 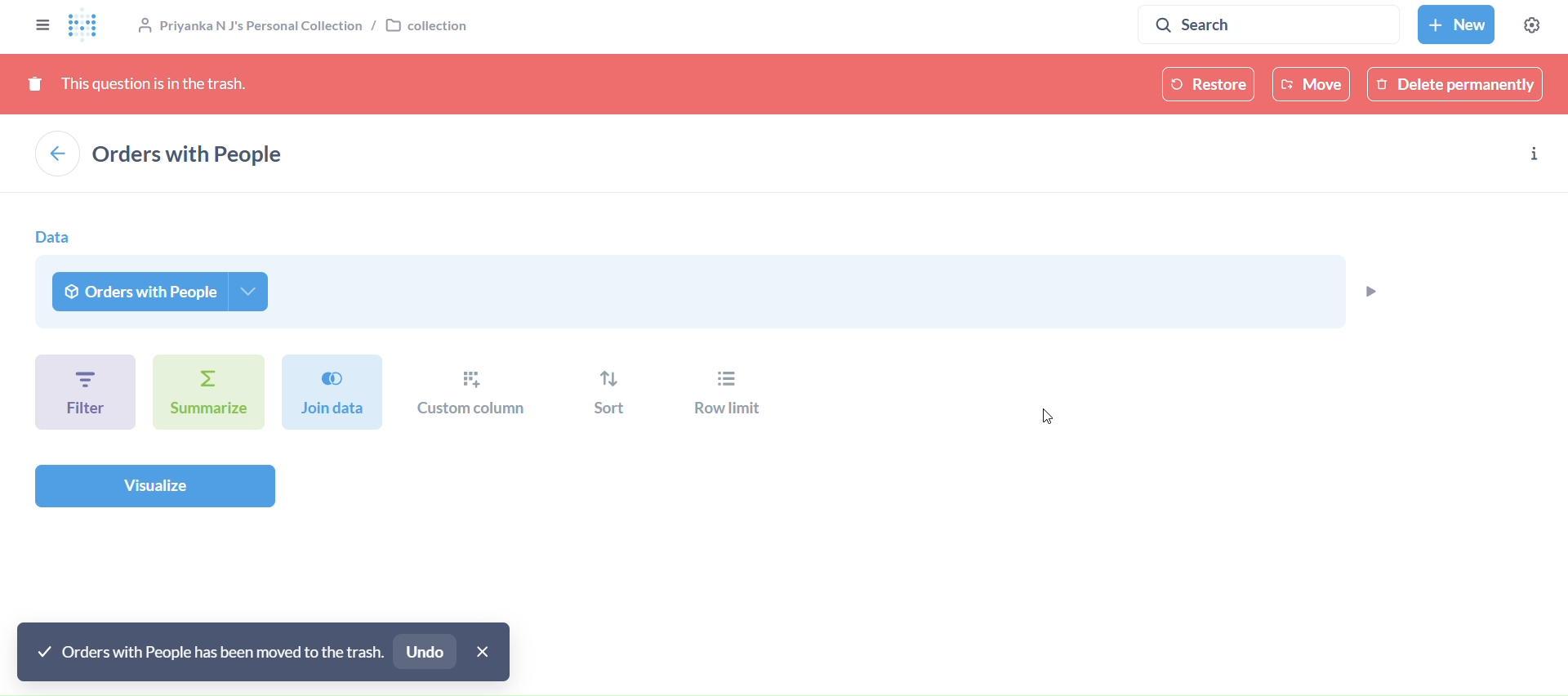 What do you see at coordinates (1373, 287) in the screenshot?
I see `preview` at bounding box center [1373, 287].